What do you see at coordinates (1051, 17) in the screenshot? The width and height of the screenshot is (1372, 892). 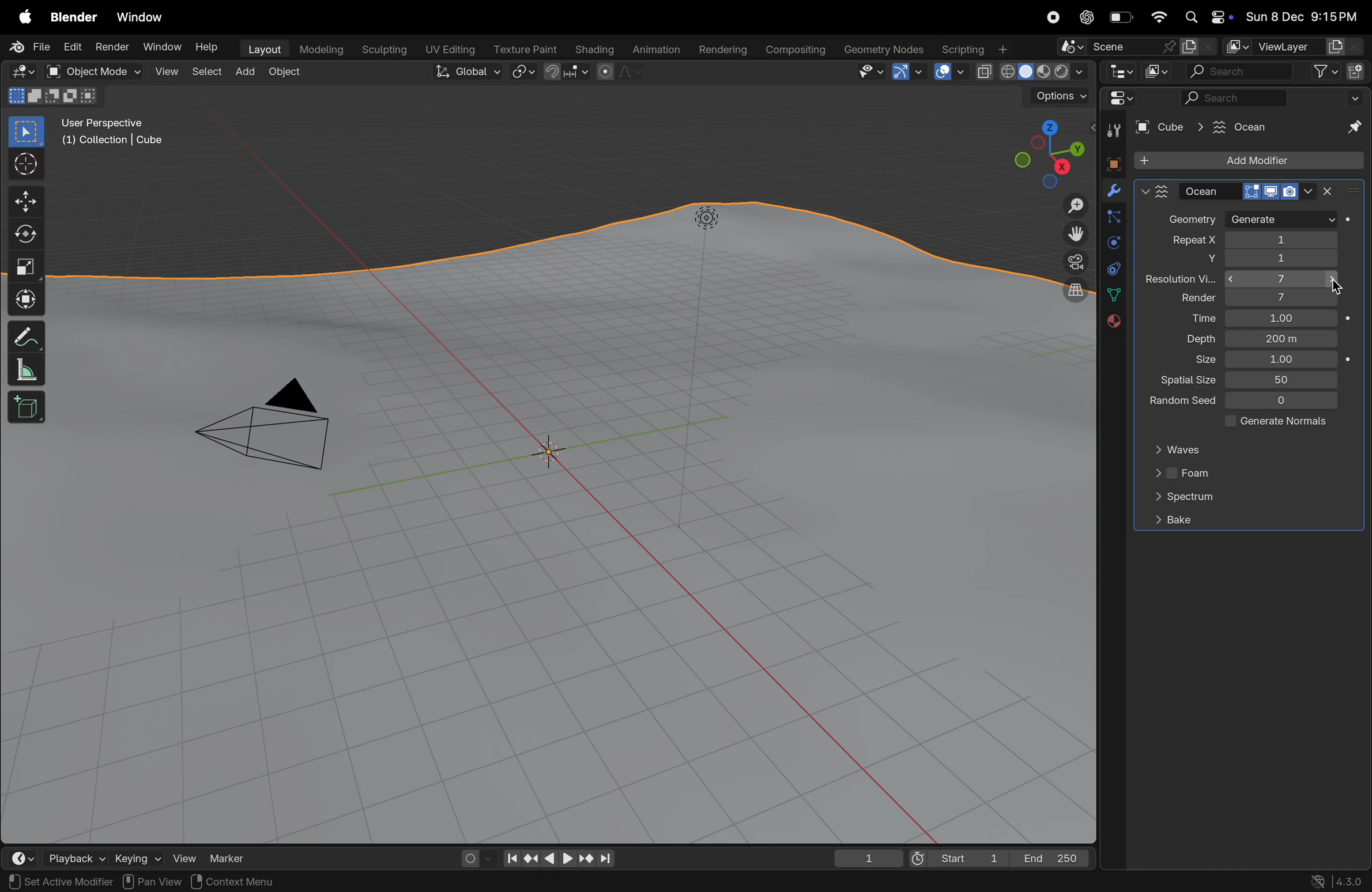 I see `record` at bounding box center [1051, 17].